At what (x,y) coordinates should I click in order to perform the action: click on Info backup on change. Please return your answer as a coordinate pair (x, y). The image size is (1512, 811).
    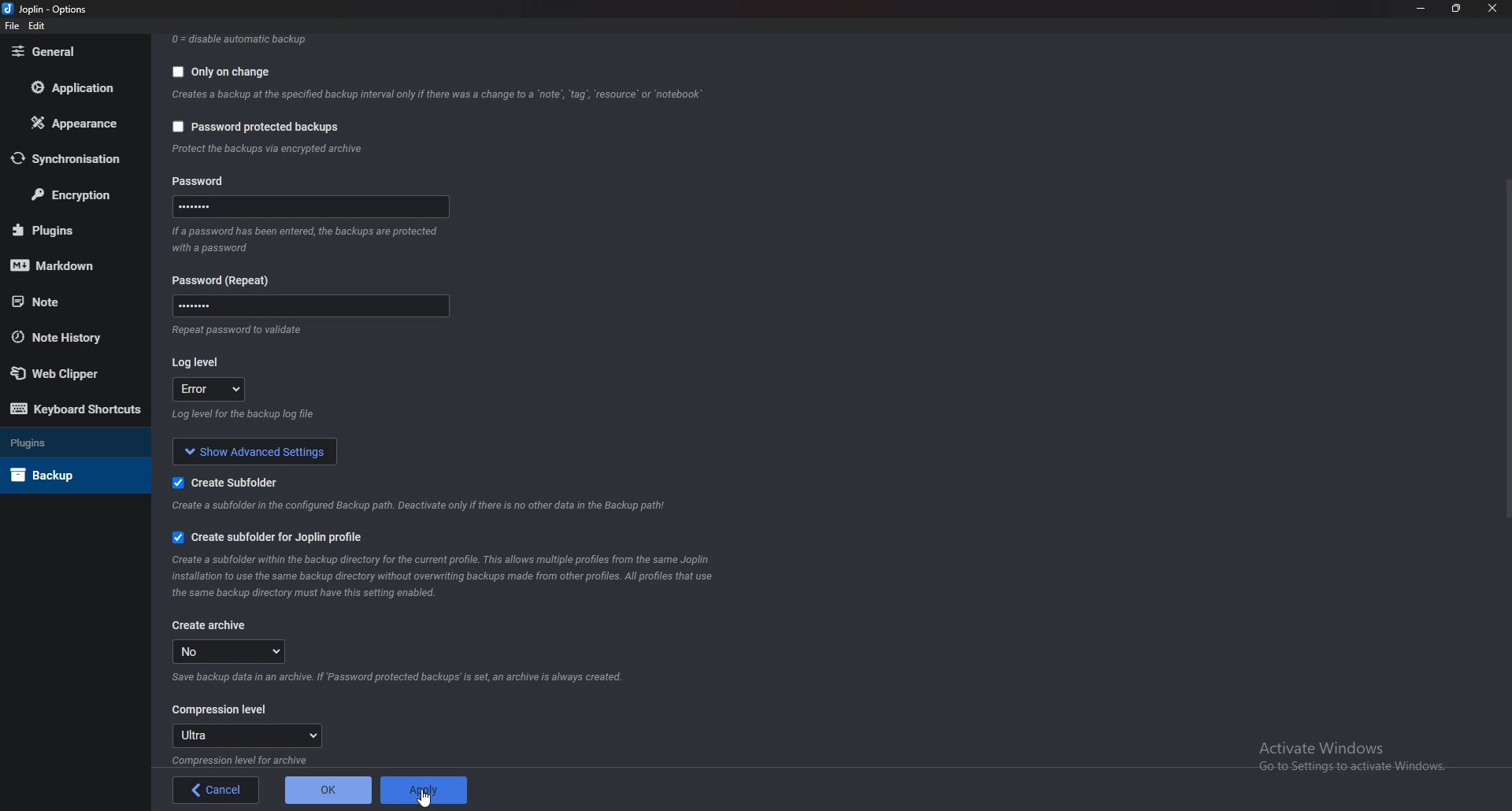
    Looking at the image, I should click on (439, 95).